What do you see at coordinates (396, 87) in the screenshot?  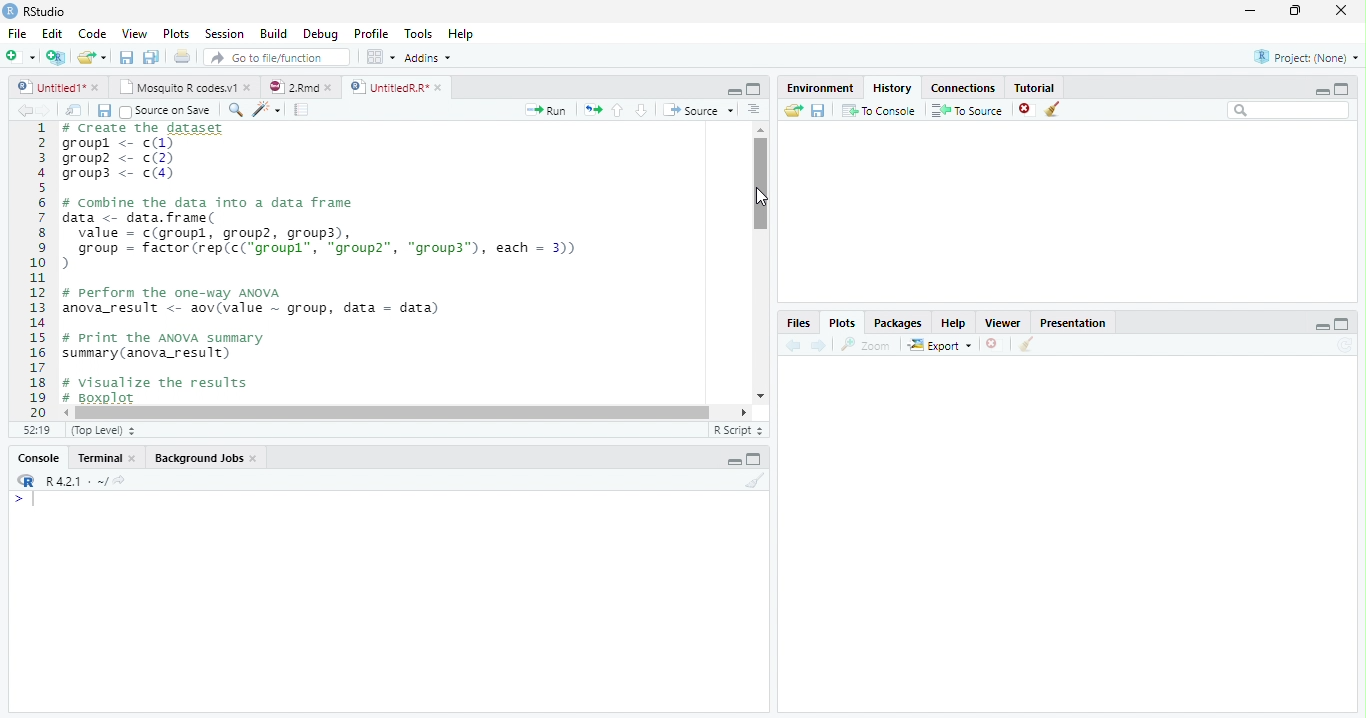 I see `Untitled R*` at bounding box center [396, 87].